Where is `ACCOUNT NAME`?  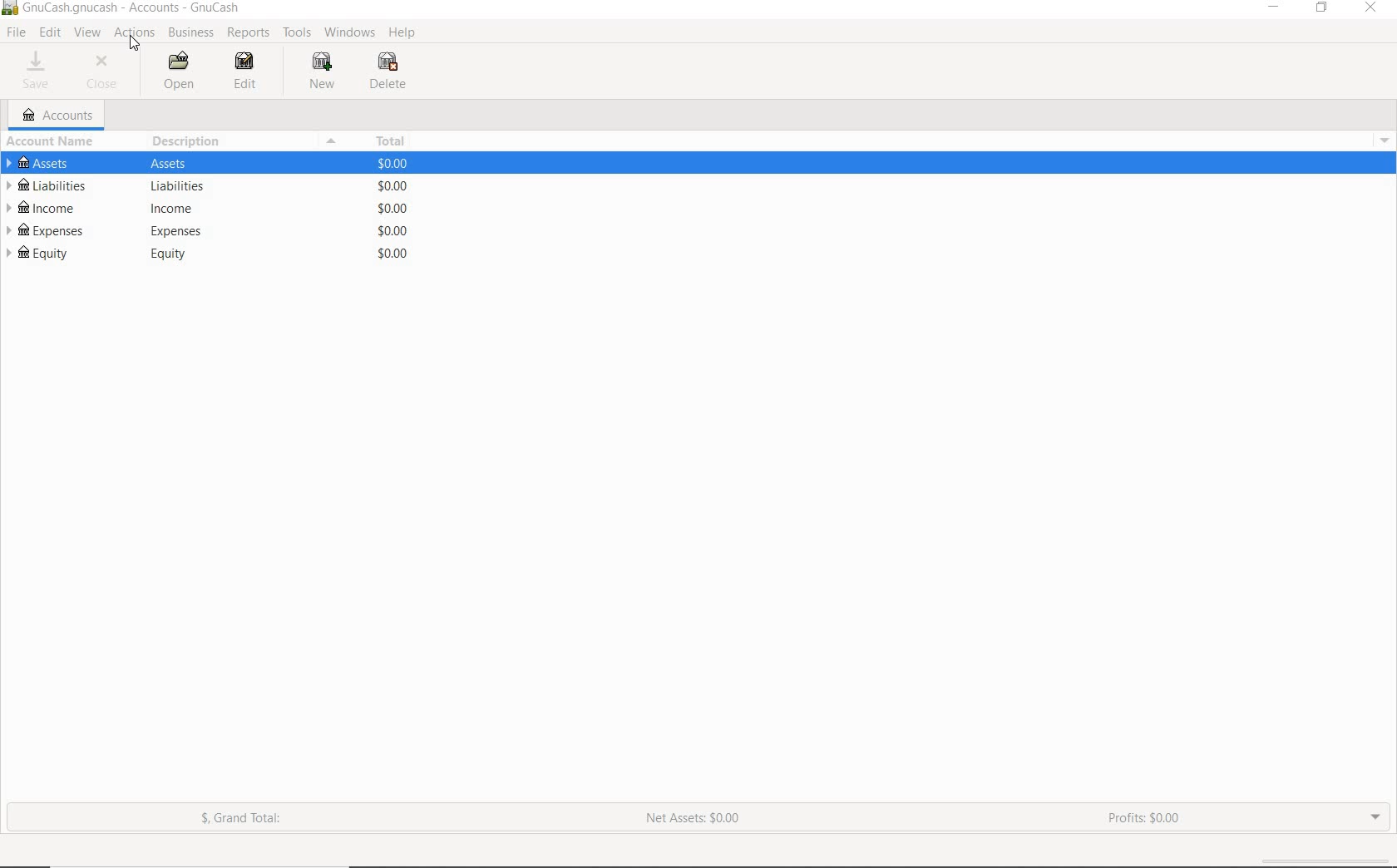 ACCOUNT NAME is located at coordinates (54, 141).